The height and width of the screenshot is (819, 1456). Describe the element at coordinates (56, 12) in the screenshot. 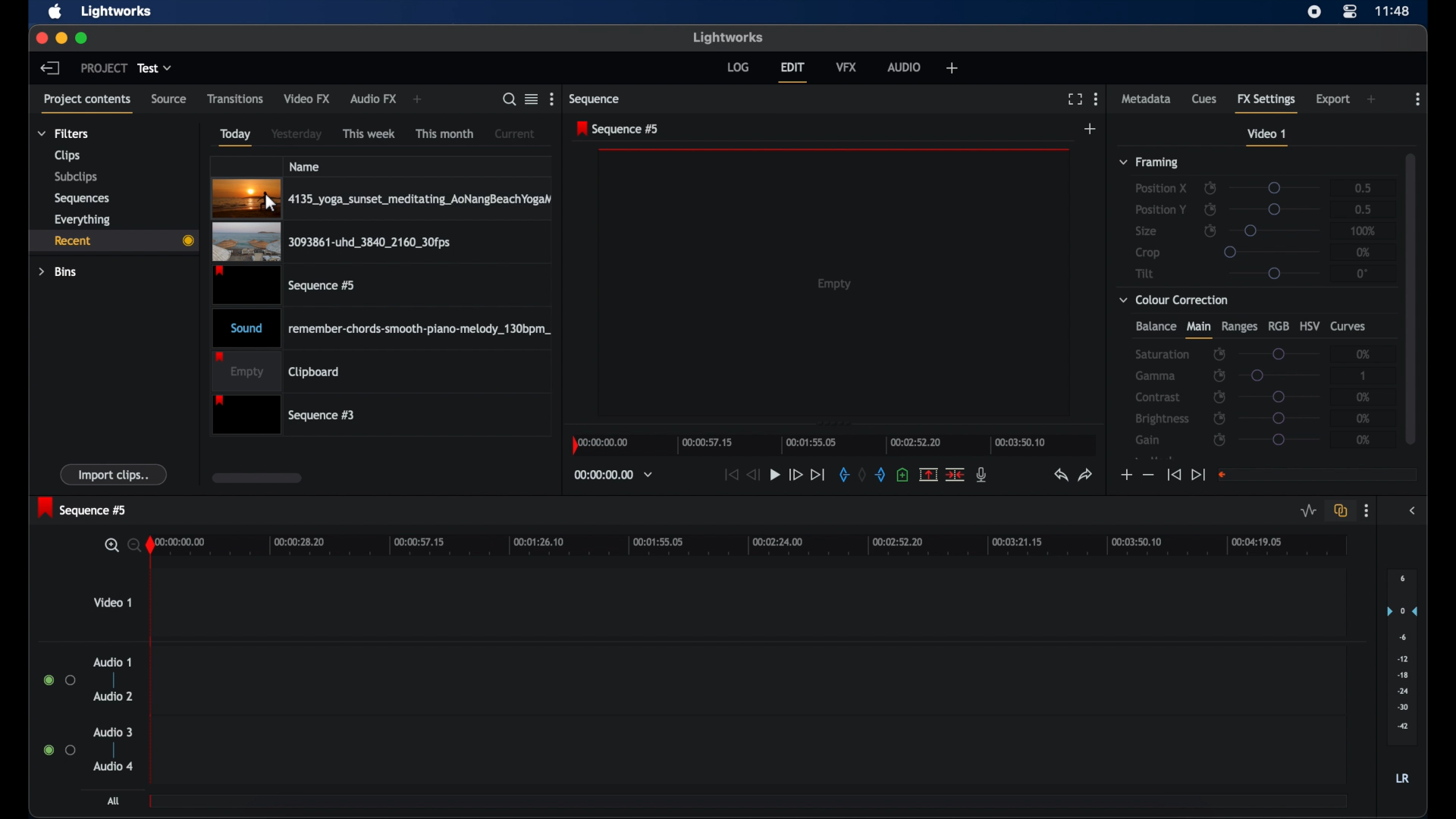

I see `apple icon` at that location.